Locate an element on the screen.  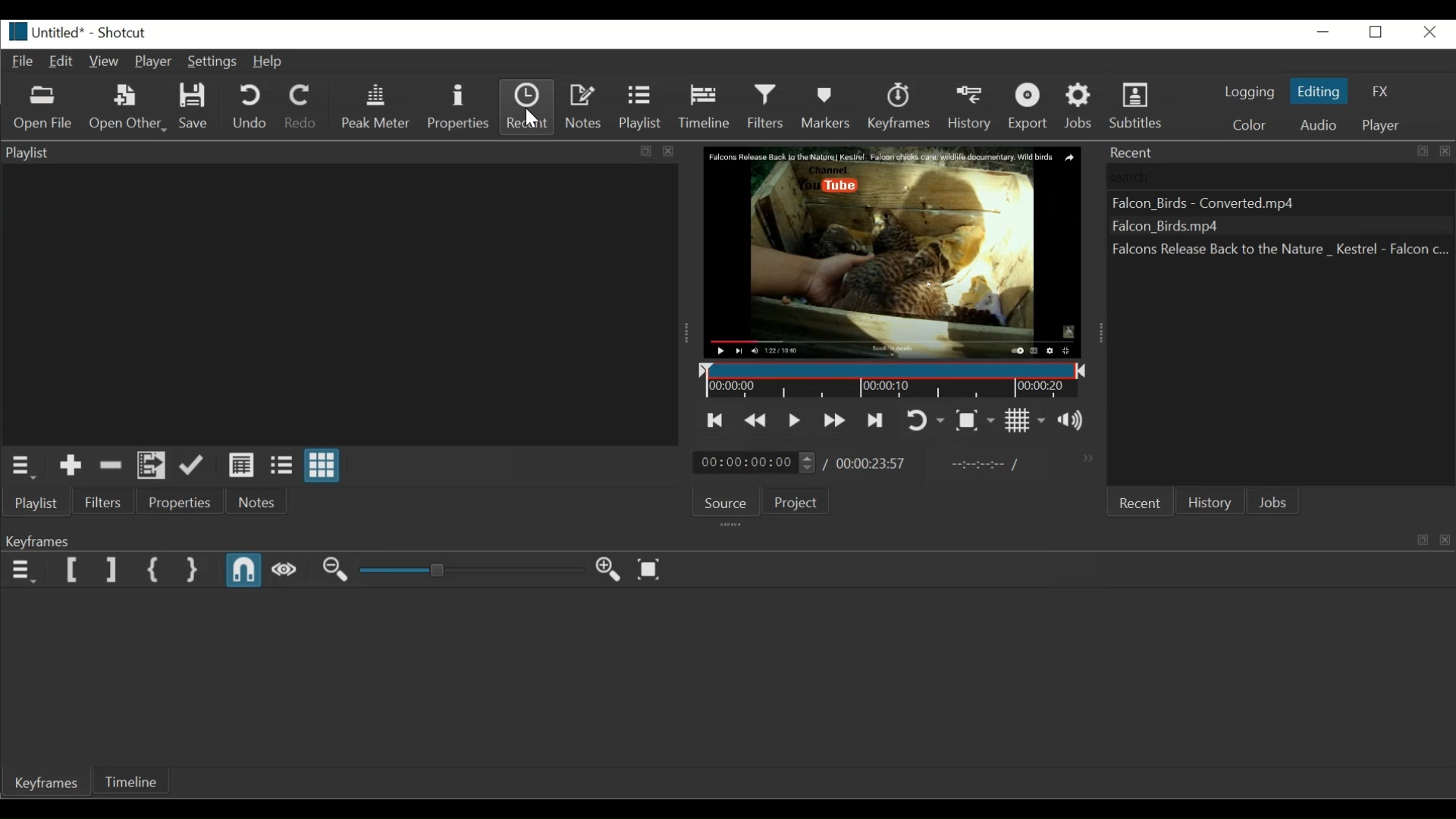
Untitled* - Shortcut (File details) is located at coordinates (88, 32).